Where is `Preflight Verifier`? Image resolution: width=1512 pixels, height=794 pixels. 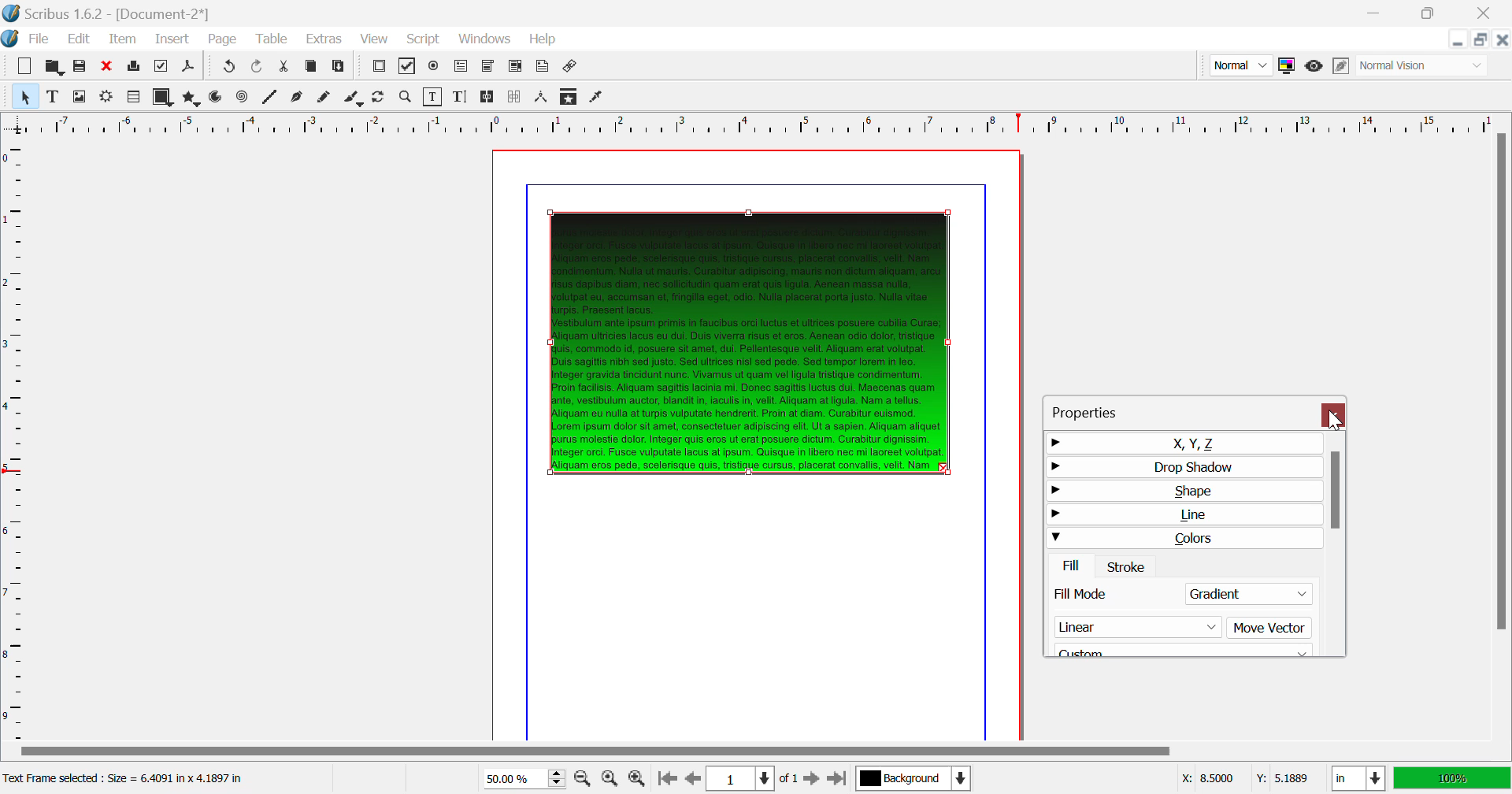 Preflight Verifier is located at coordinates (162, 66).